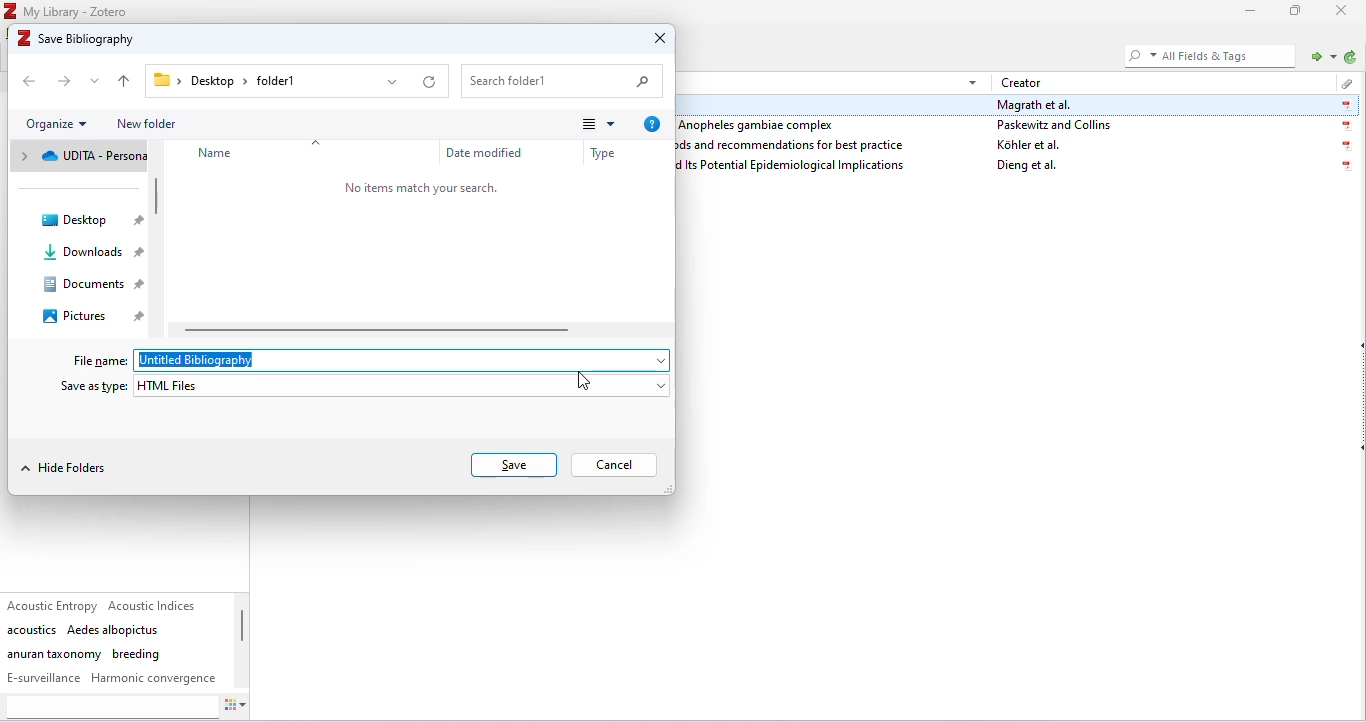  What do you see at coordinates (58, 123) in the screenshot?
I see `organize` at bounding box center [58, 123].